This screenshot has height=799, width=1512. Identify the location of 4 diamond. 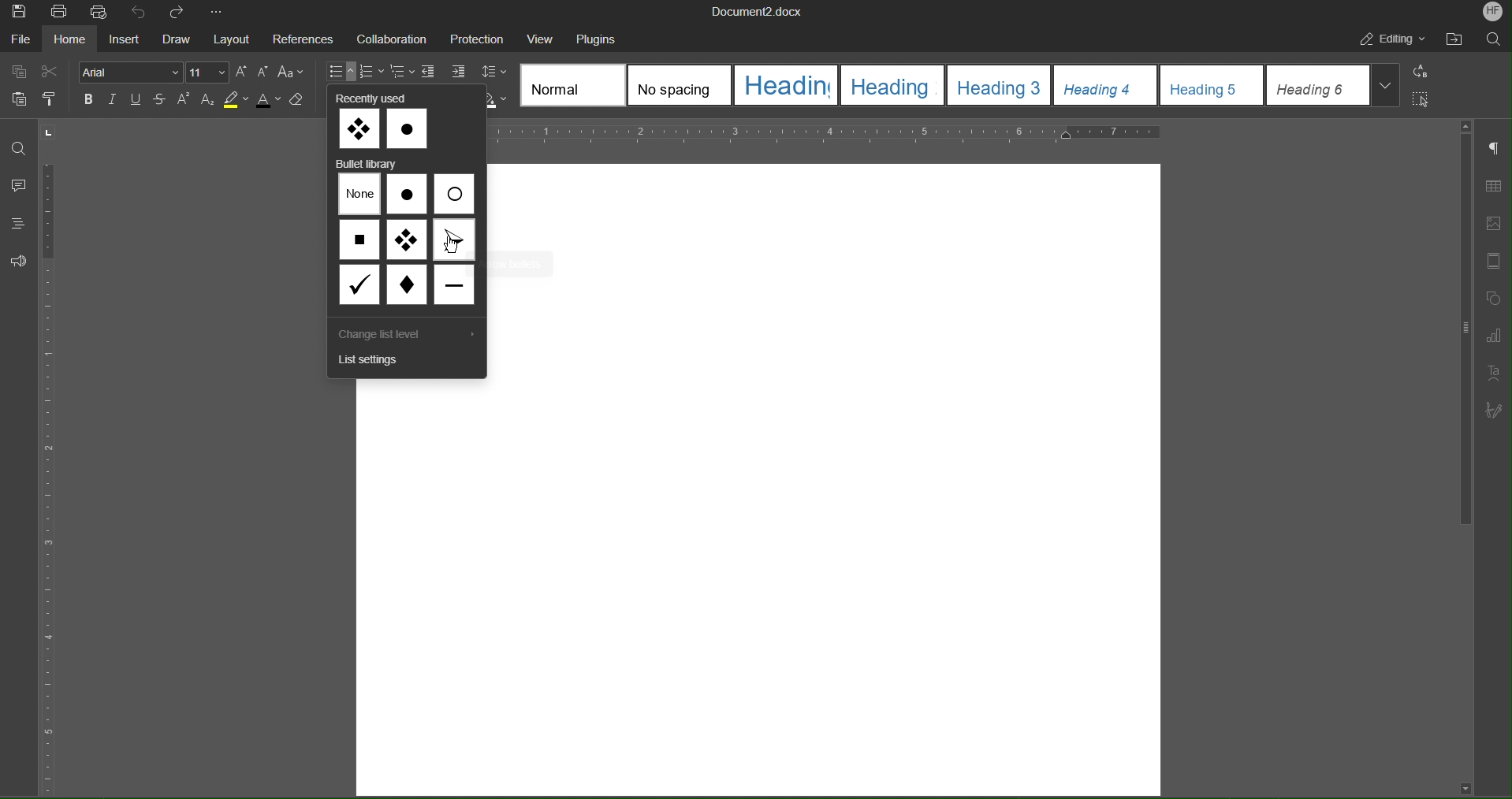
(408, 242).